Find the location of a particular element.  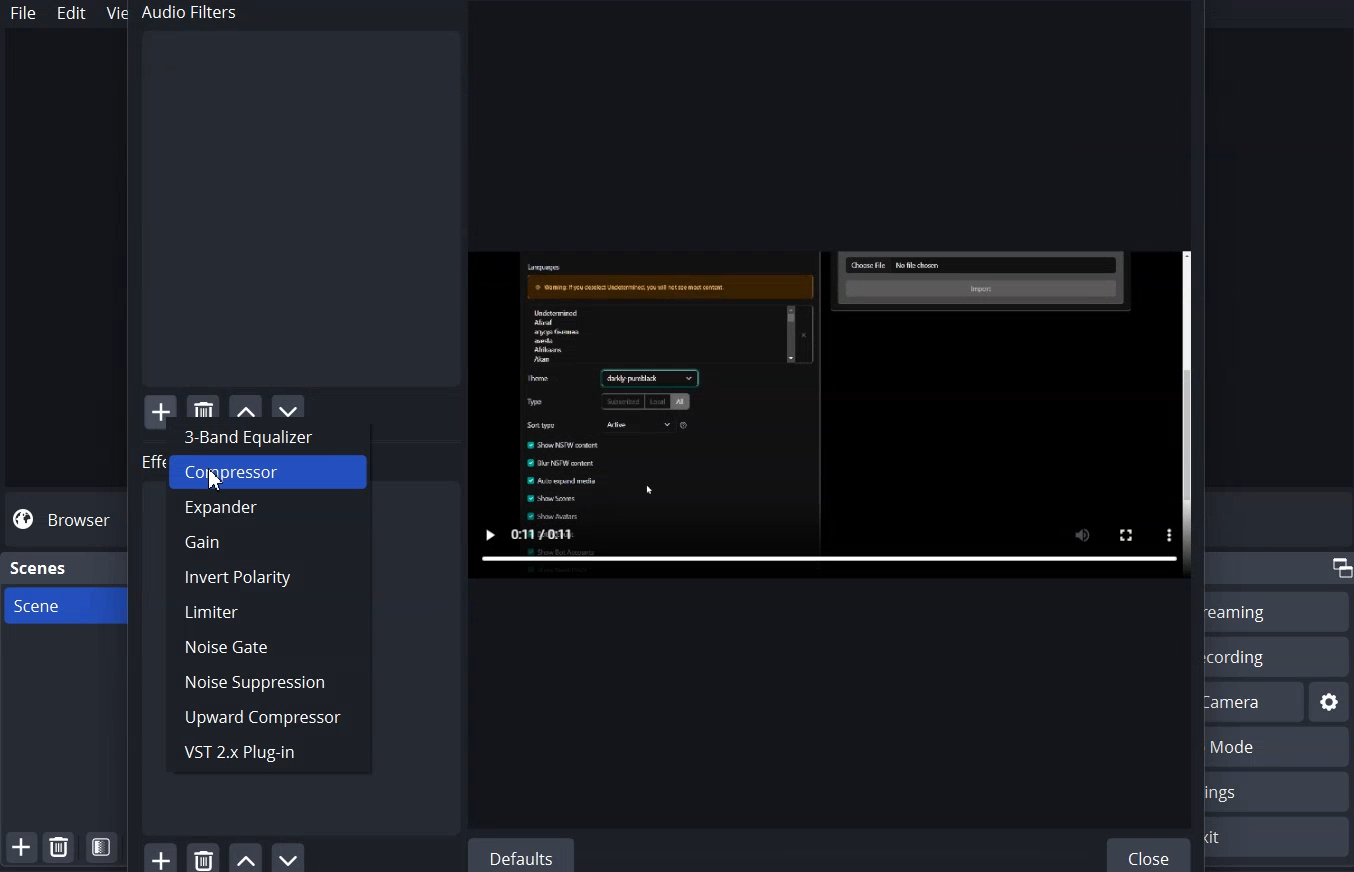

Remove Filter is located at coordinates (203, 856).